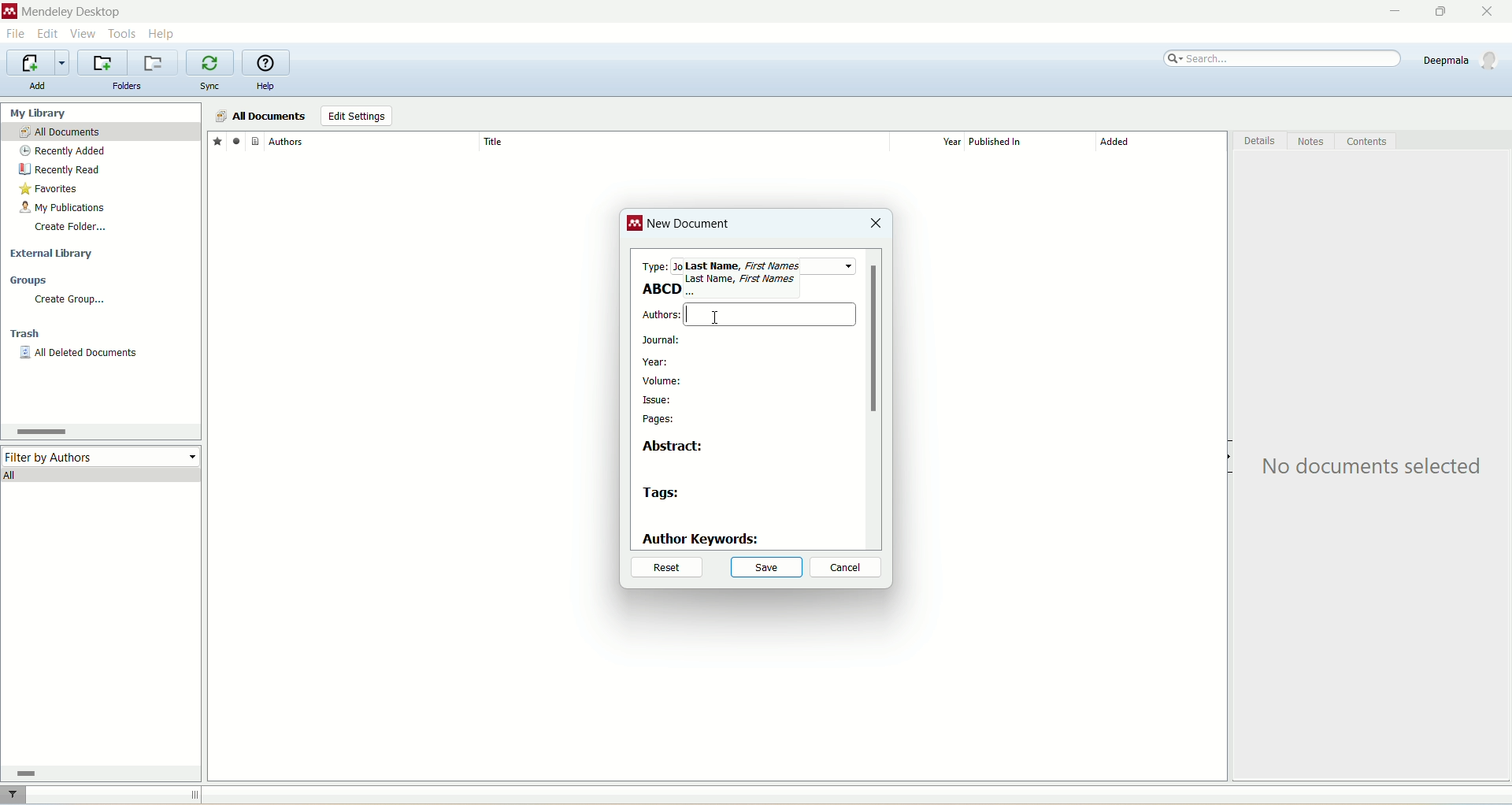 The width and height of the screenshot is (1512, 805). What do you see at coordinates (663, 495) in the screenshot?
I see `tags` at bounding box center [663, 495].